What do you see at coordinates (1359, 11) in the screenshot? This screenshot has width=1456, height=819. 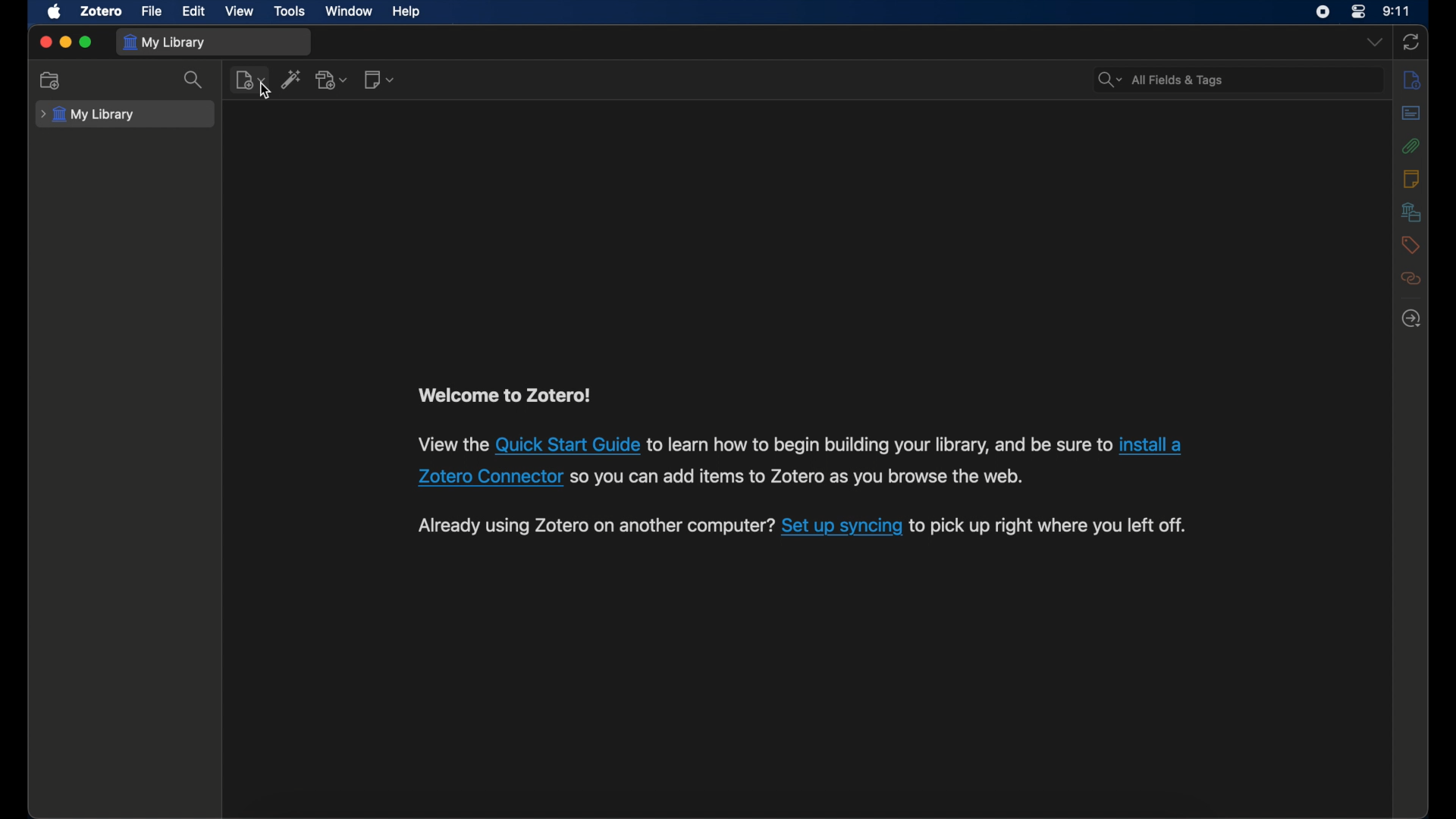 I see `control center` at bounding box center [1359, 11].